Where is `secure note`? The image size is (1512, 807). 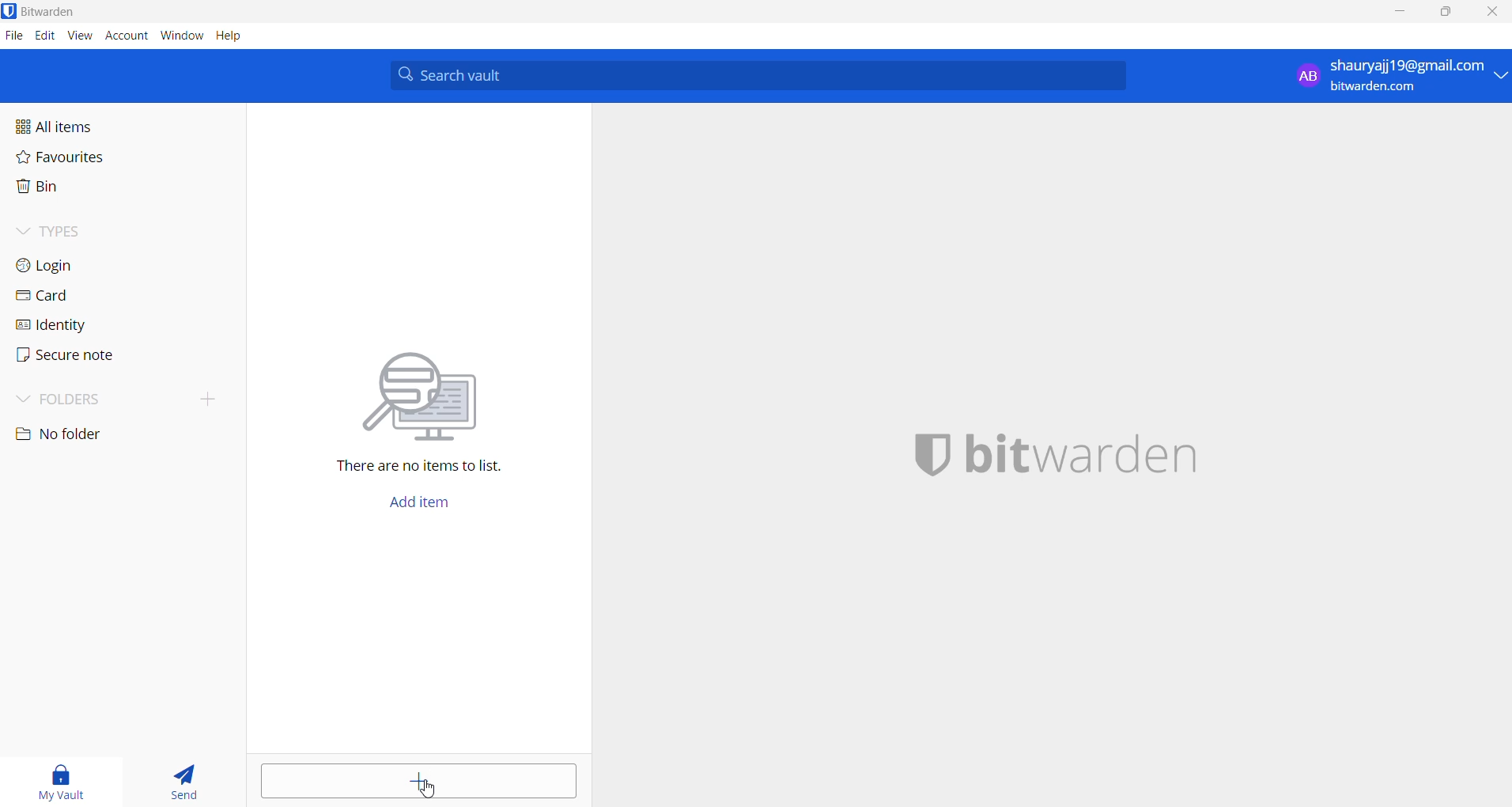
secure note is located at coordinates (85, 358).